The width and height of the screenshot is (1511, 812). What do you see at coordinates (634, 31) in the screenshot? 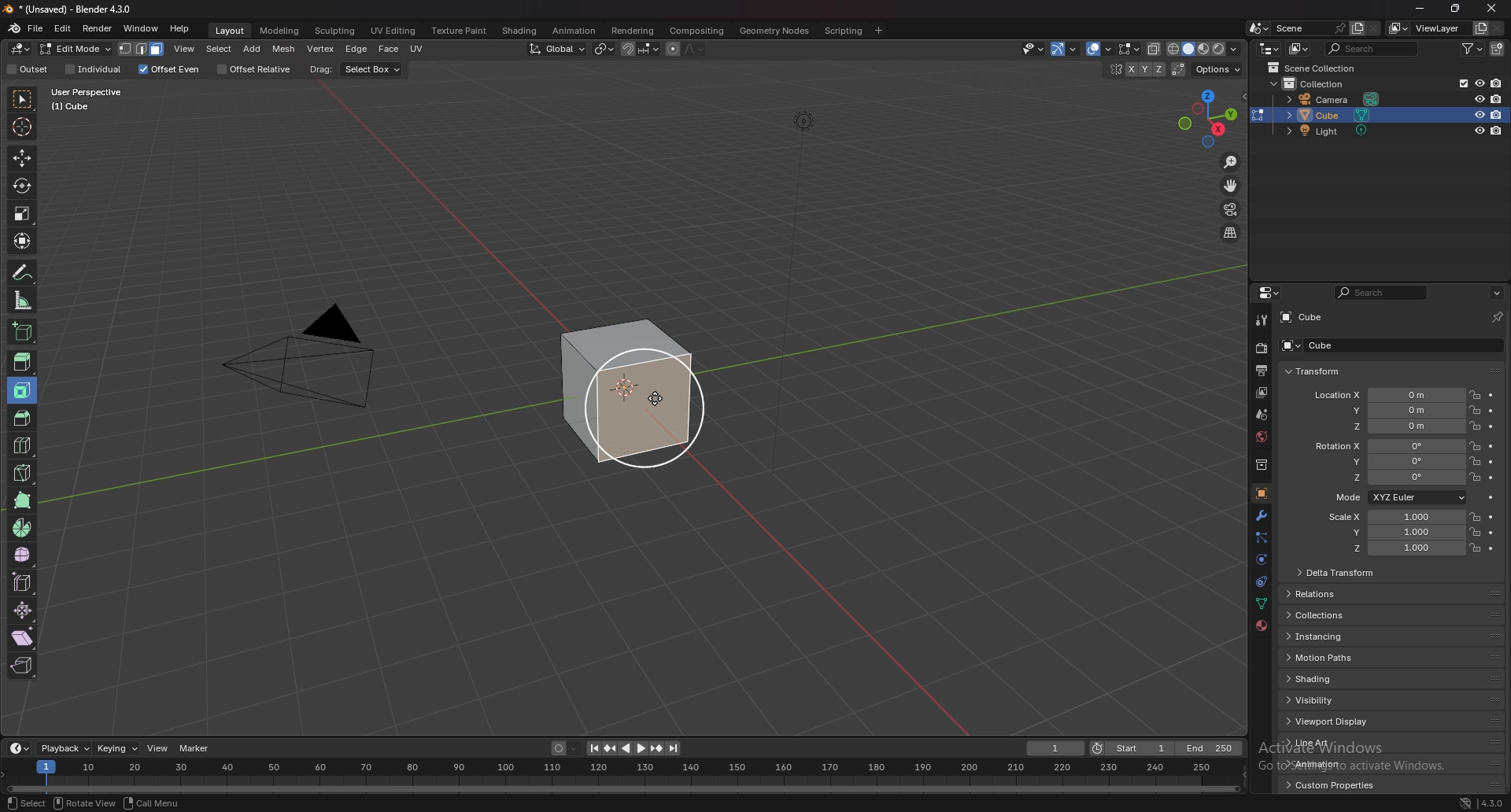
I see `rendering` at bounding box center [634, 31].